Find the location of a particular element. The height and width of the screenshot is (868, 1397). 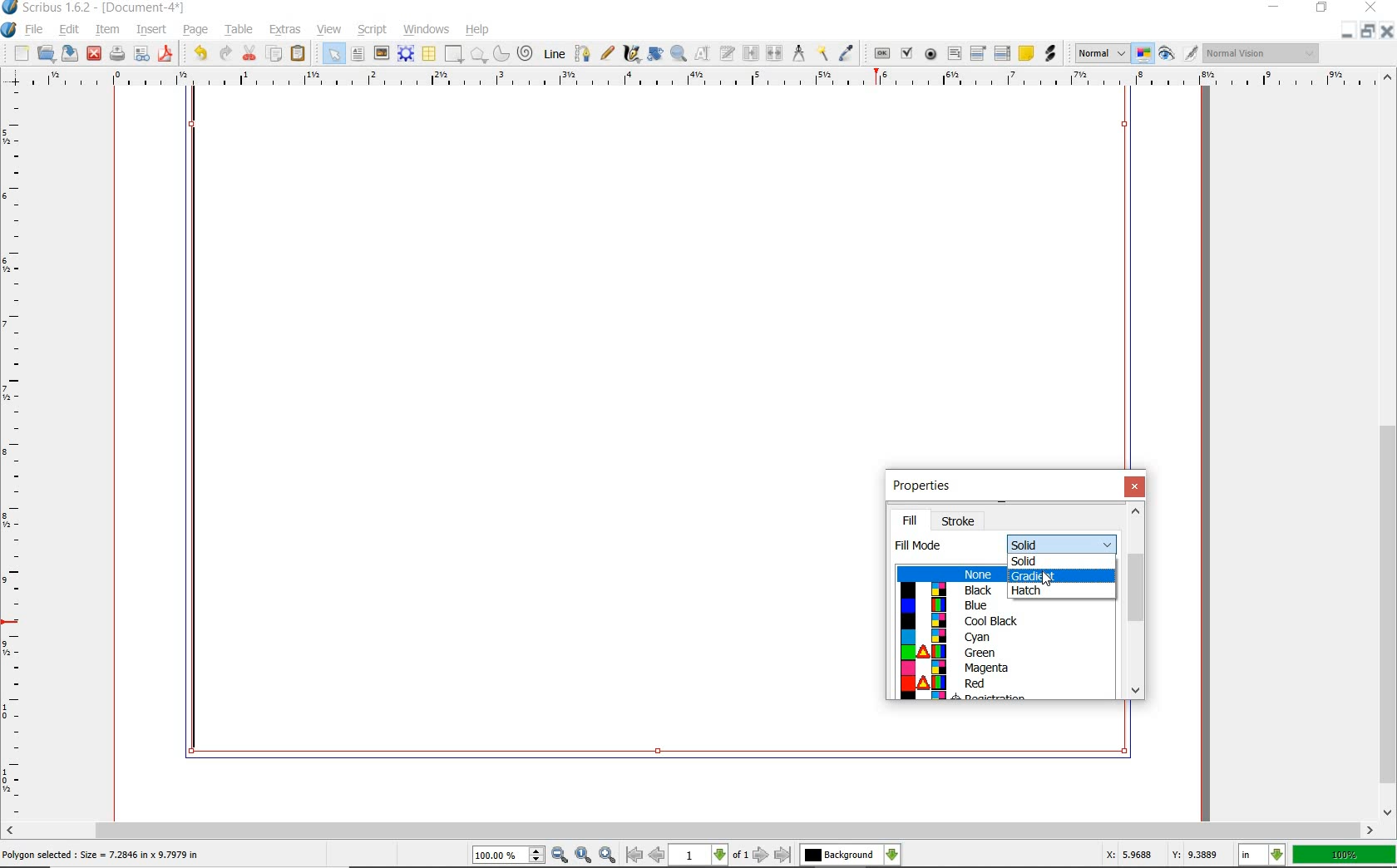

close is located at coordinates (94, 54).